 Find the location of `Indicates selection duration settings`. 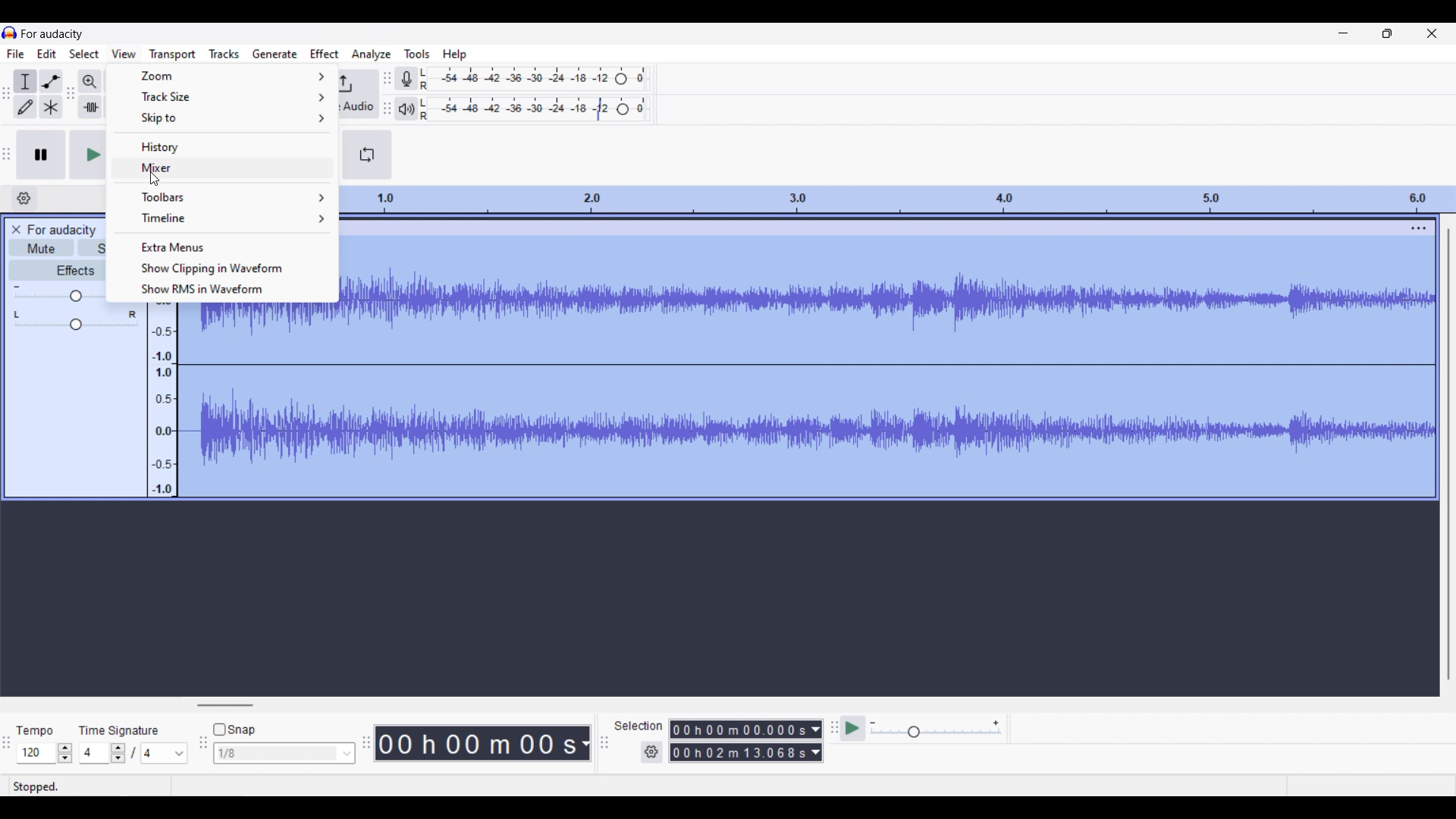

Indicates selection duration settings is located at coordinates (639, 726).